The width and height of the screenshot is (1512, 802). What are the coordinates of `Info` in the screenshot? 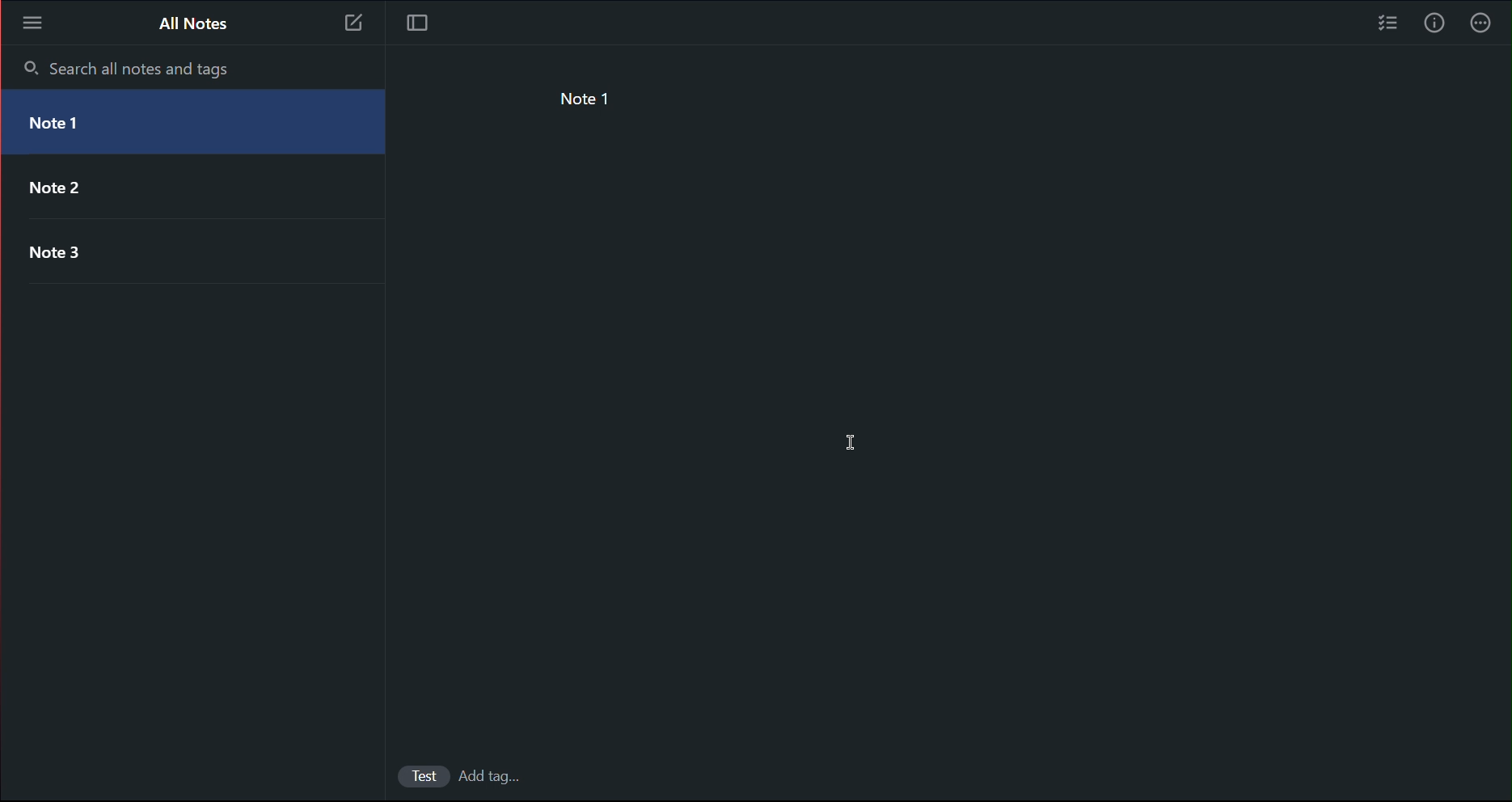 It's located at (1435, 23).